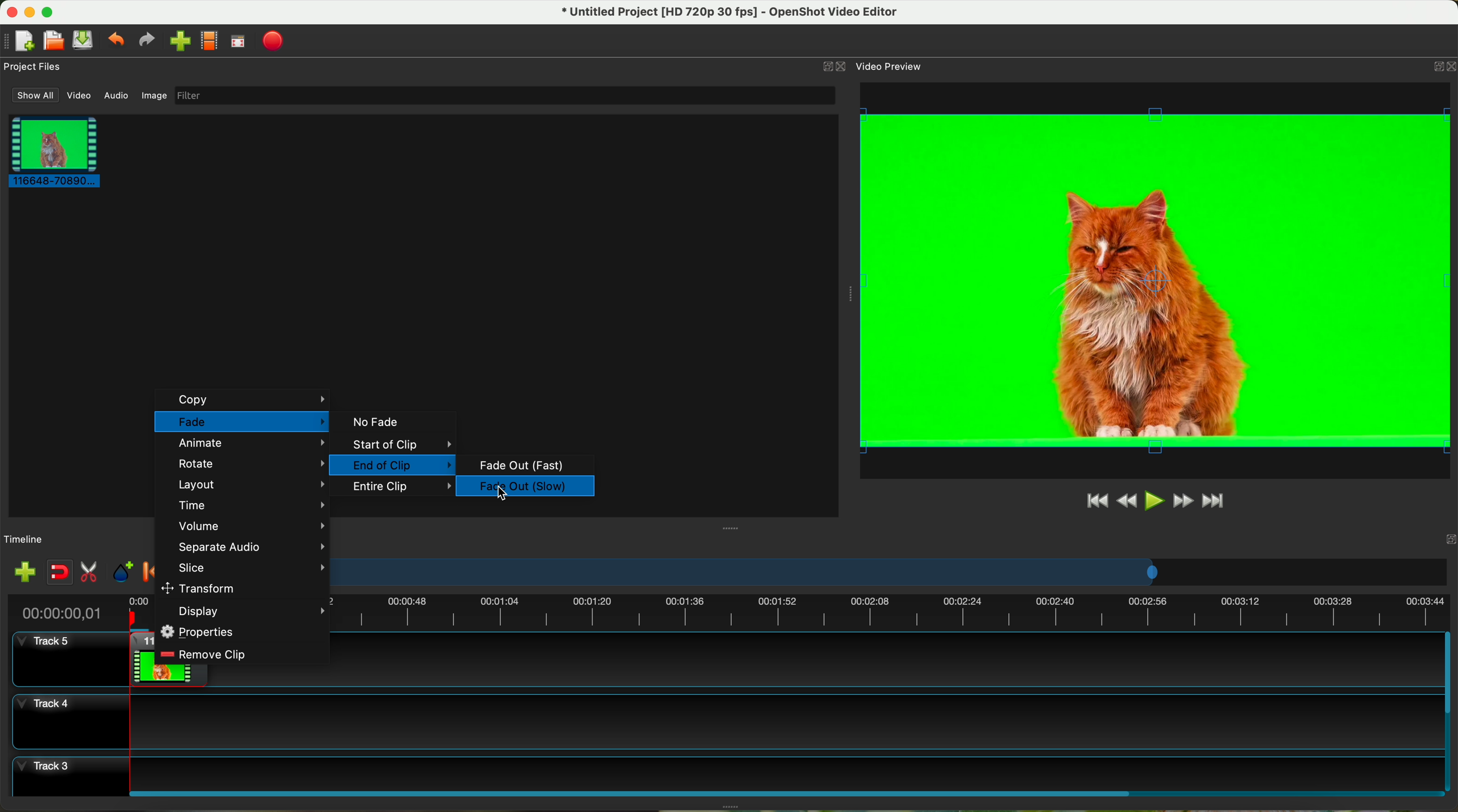 The width and height of the screenshot is (1458, 812). What do you see at coordinates (250, 504) in the screenshot?
I see `time` at bounding box center [250, 504].